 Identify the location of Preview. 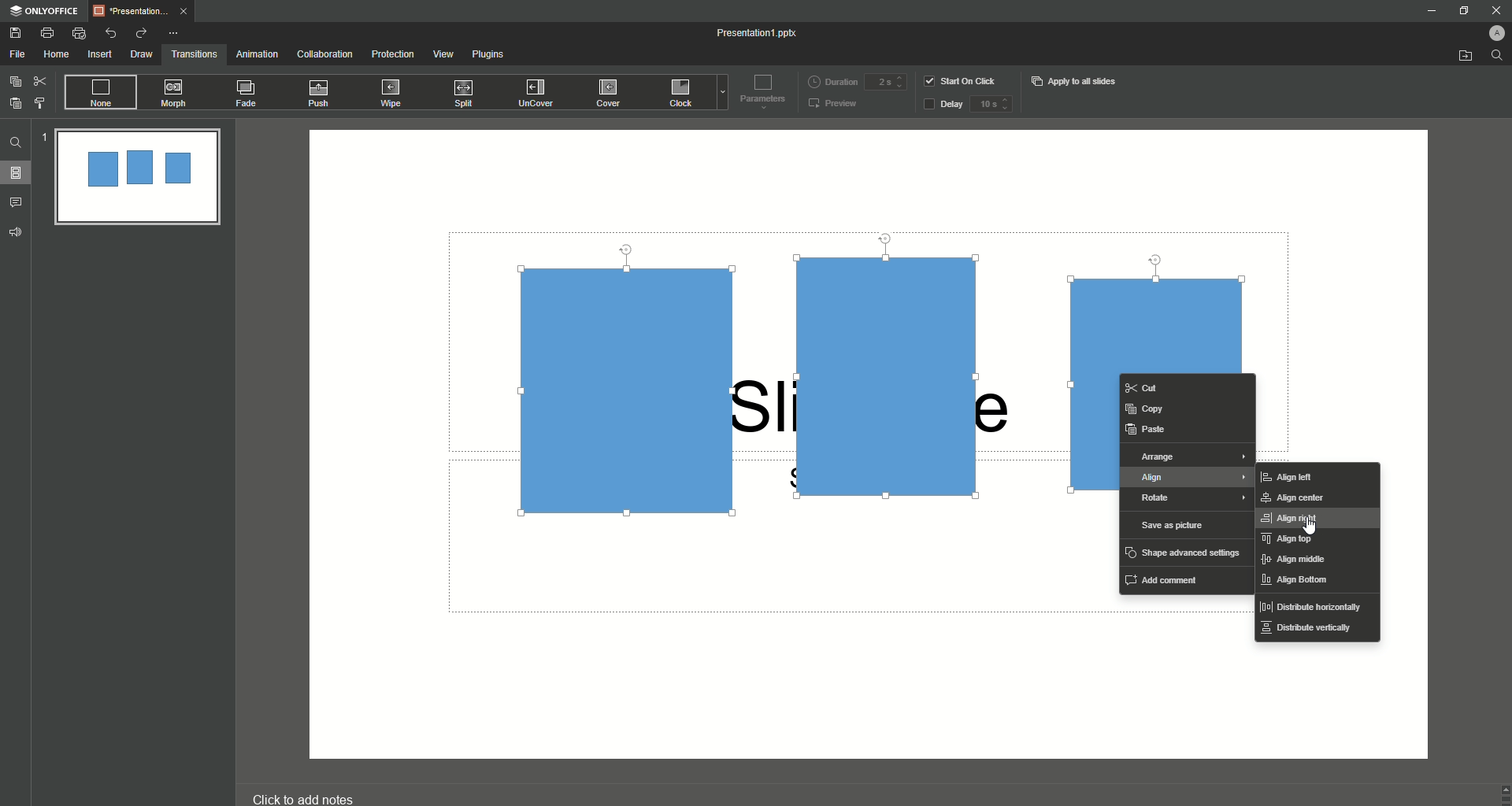
(834, 105).